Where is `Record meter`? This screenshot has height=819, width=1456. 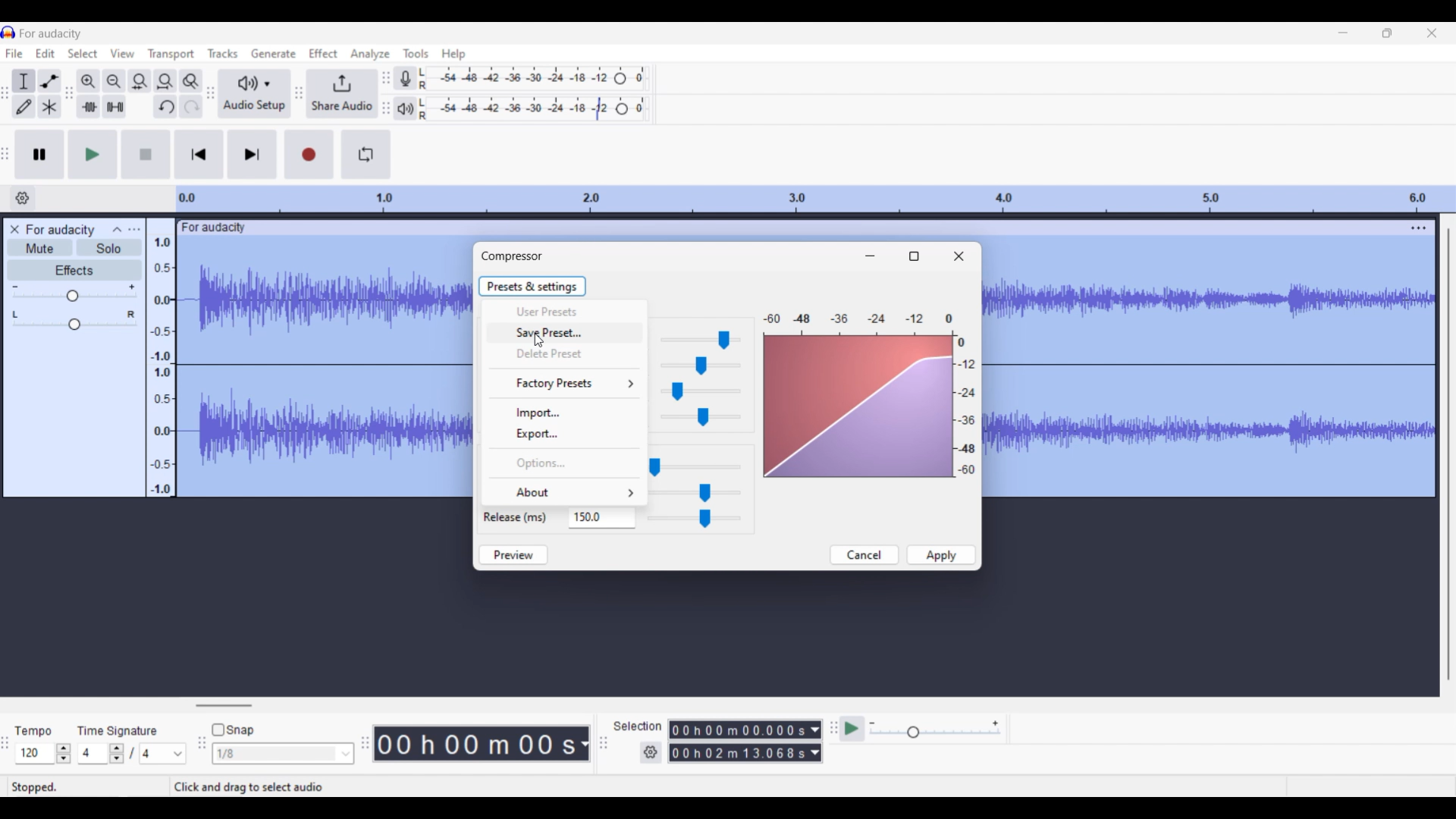 Record meter is located at coordinates (405, 78).